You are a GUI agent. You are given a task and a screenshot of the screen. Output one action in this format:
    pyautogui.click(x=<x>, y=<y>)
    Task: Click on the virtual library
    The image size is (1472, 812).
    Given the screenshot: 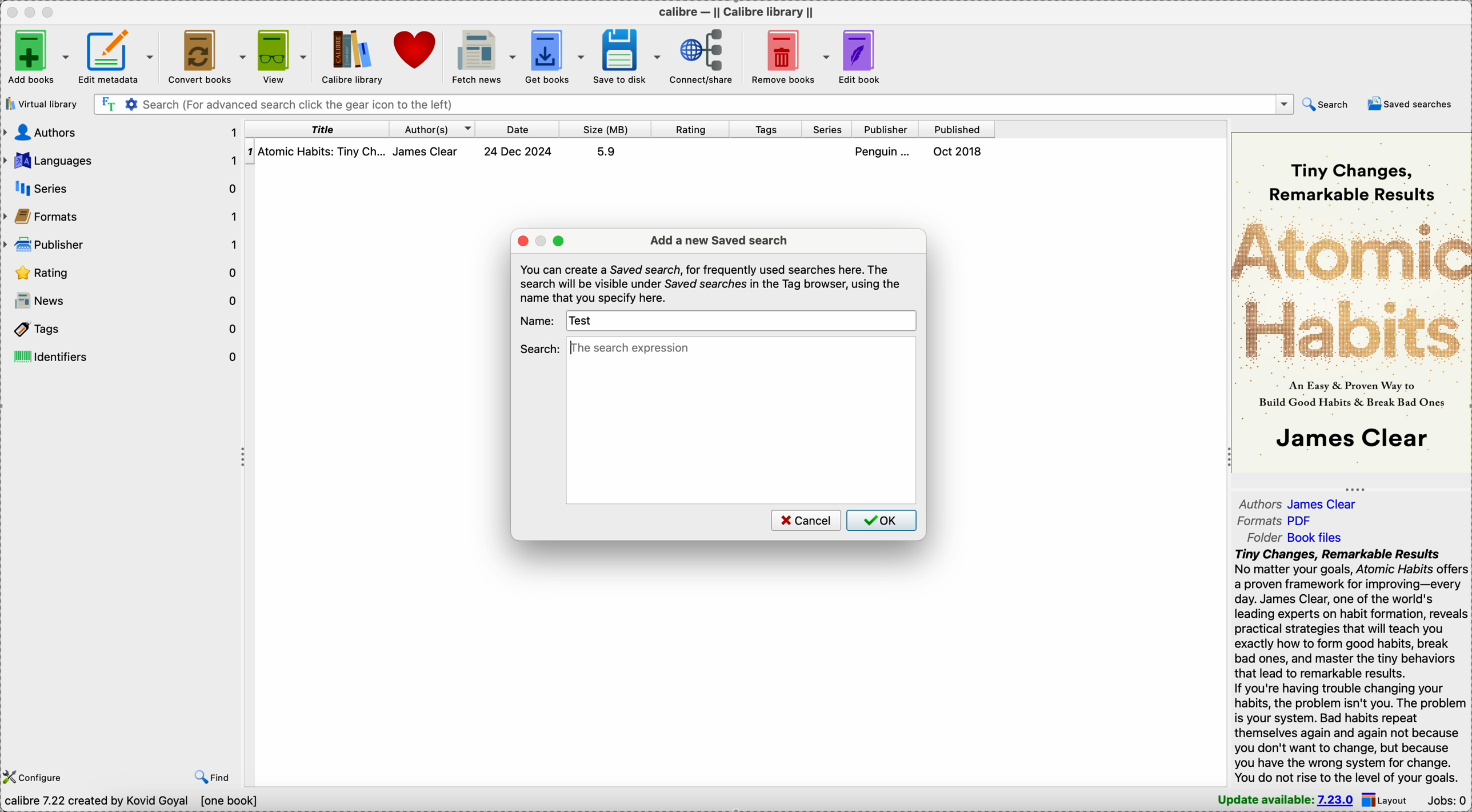 What is the action you would take?
    pyautogui.click(x=41, y=104)
    